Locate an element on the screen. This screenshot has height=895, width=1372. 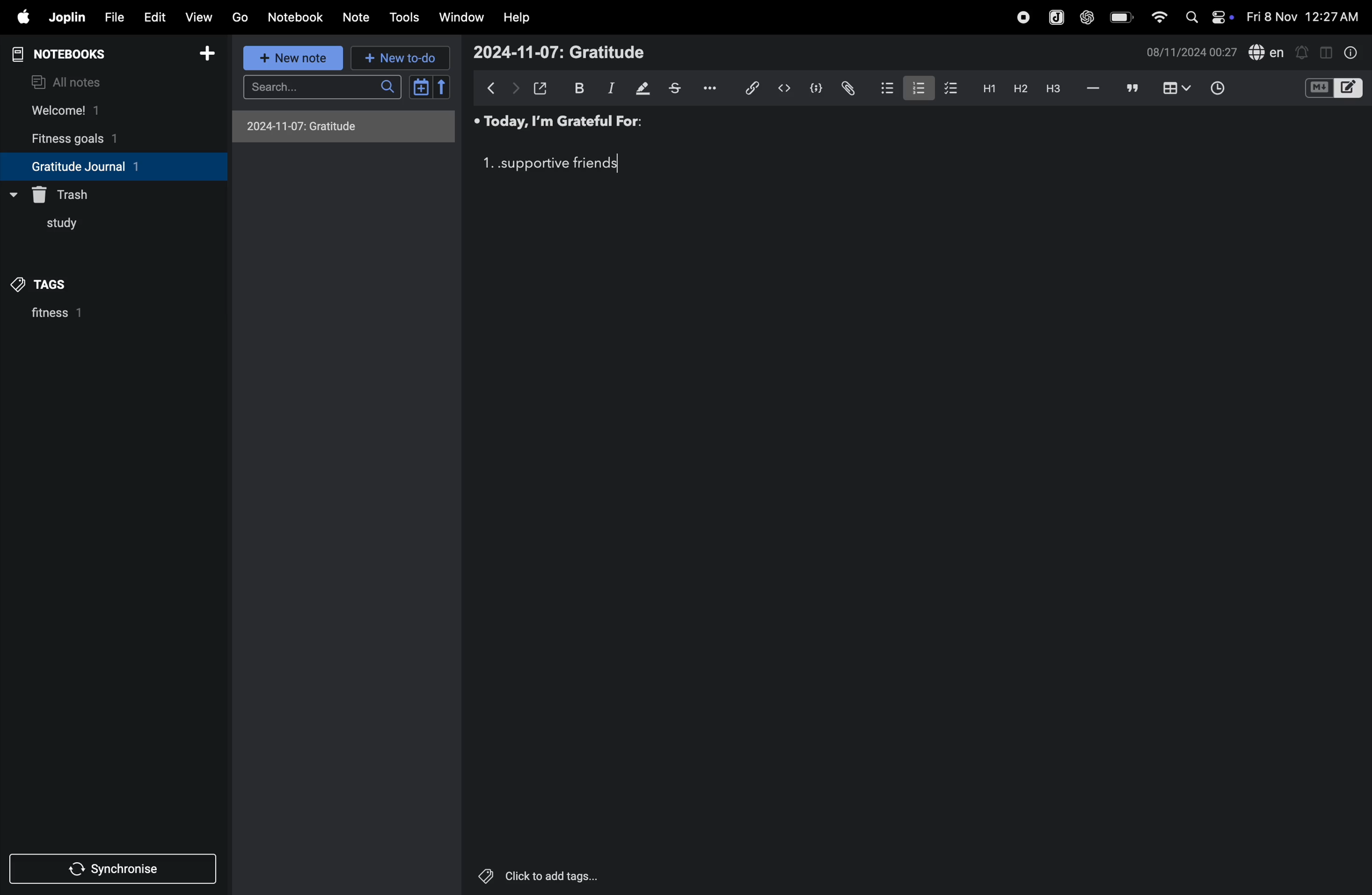
italic is located at coordinates (610, 89).